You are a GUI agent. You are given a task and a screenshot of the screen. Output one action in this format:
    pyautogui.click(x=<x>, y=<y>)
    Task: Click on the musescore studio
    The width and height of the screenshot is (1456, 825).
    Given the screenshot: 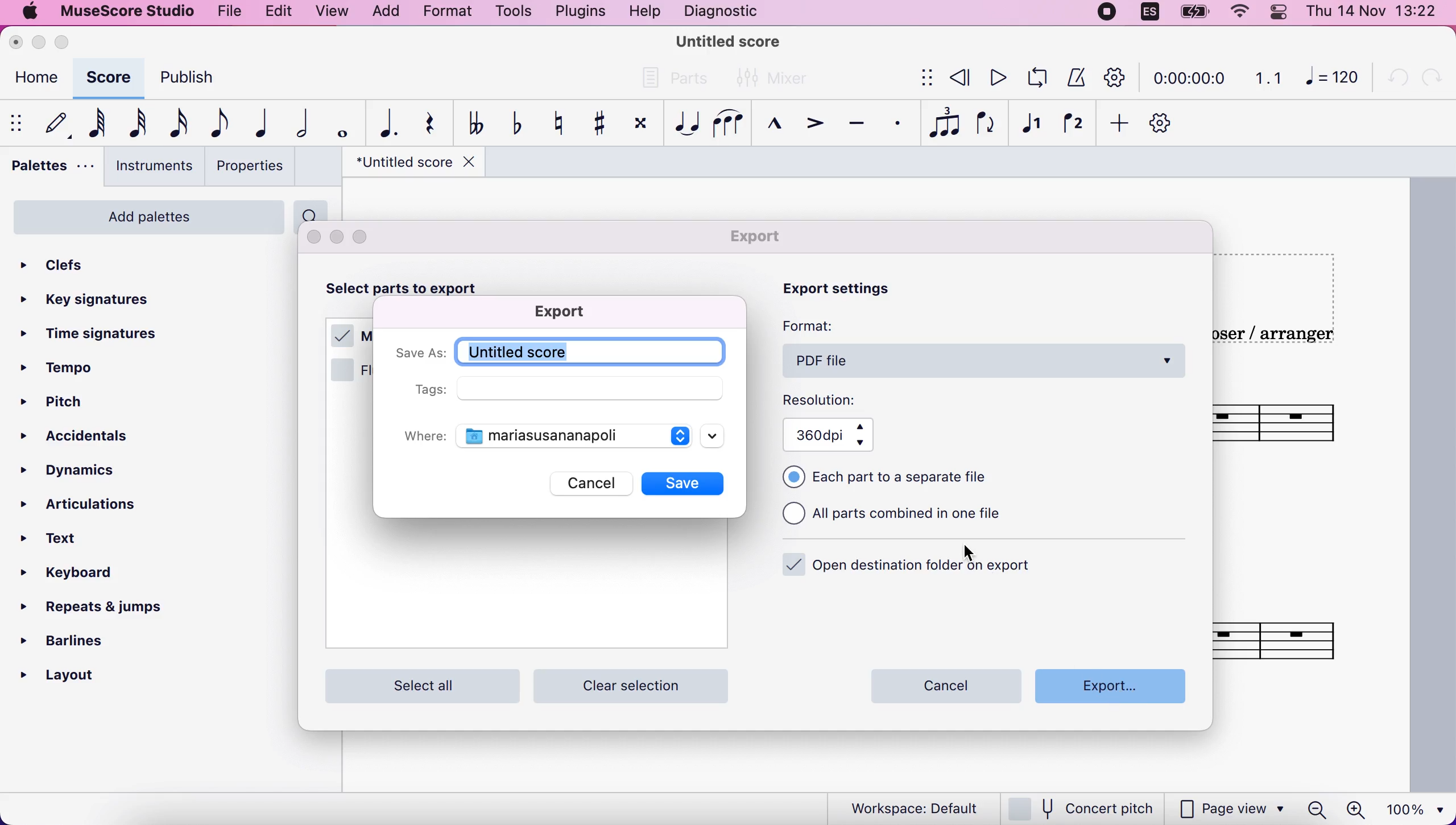 What is the action you would take?
    pyautogui.click(x=129, y=14)
    